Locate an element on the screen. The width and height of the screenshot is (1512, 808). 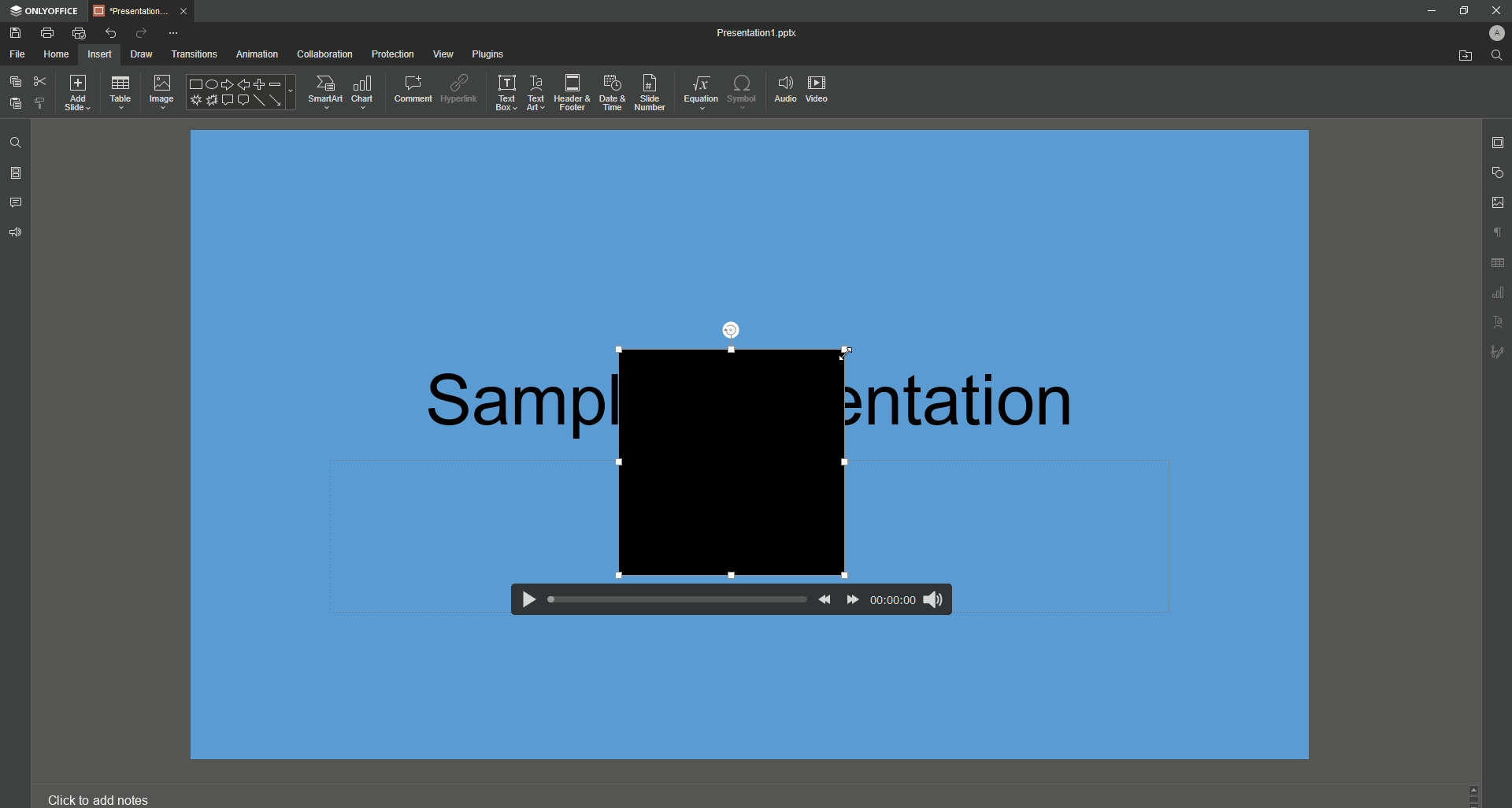
Paste is located at coordinates (14, 105).